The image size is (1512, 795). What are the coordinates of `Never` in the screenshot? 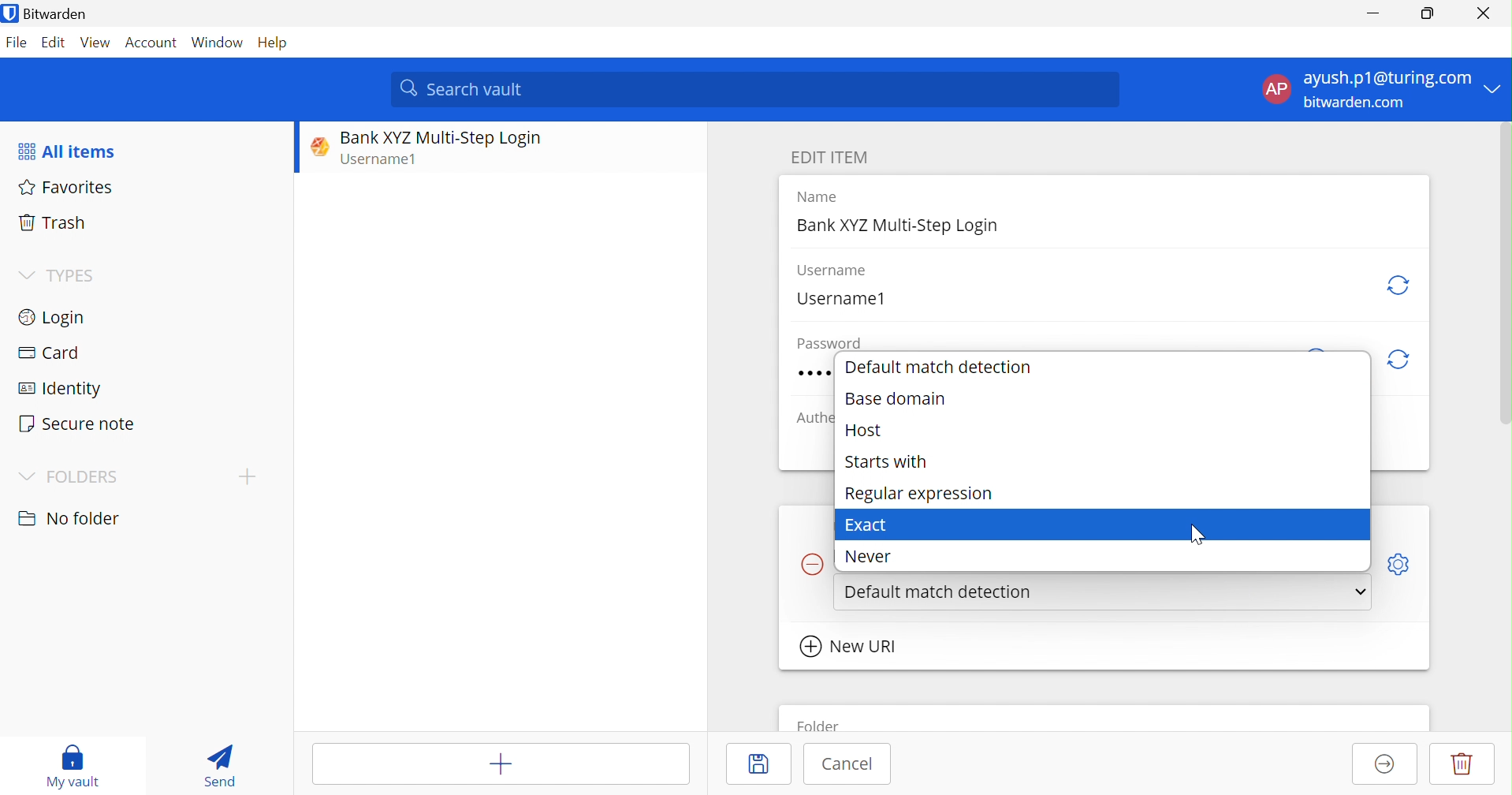 It's located at (875, 554).